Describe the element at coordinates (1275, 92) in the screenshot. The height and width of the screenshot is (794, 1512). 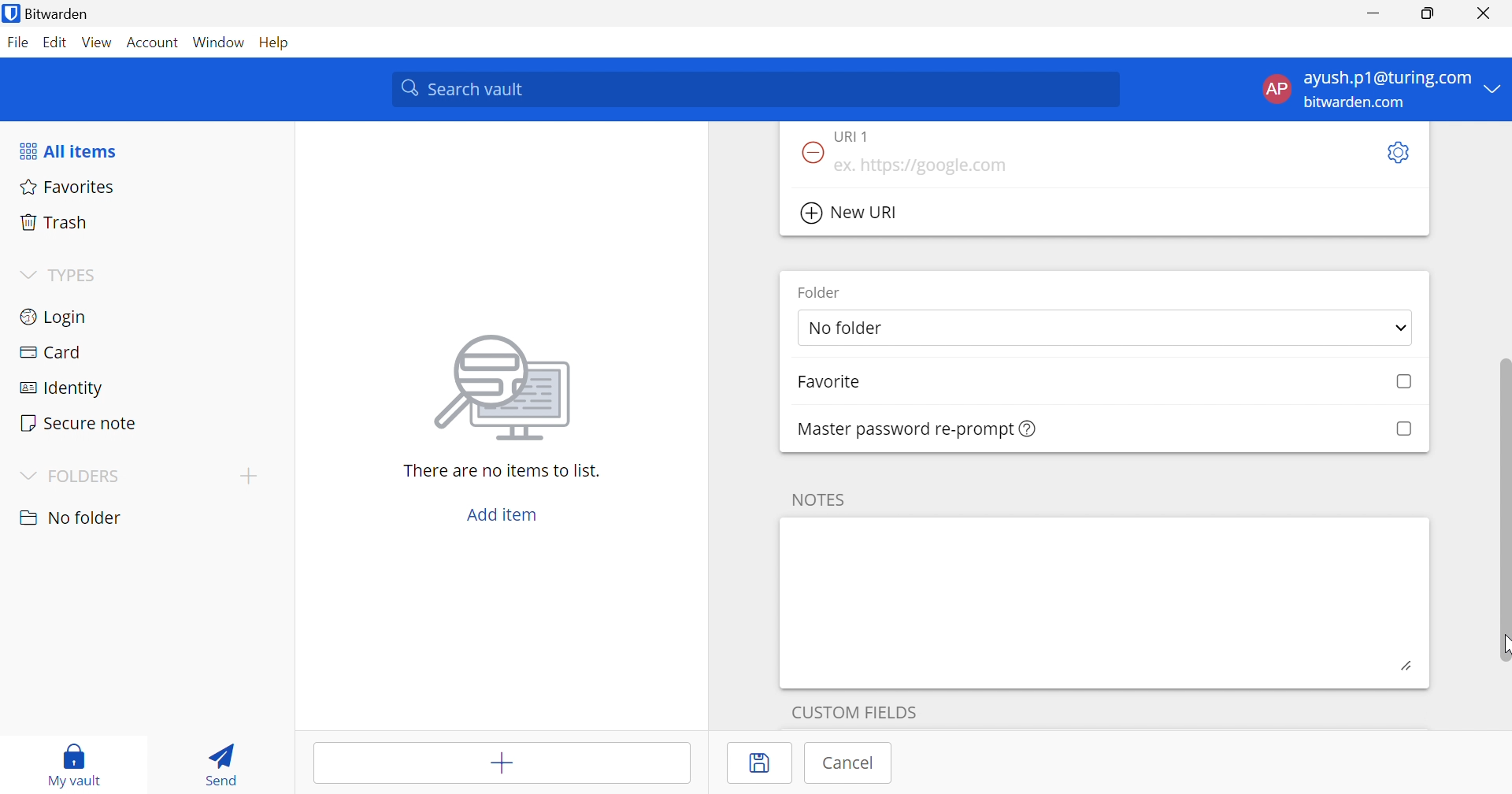
I see `AP` at that location.